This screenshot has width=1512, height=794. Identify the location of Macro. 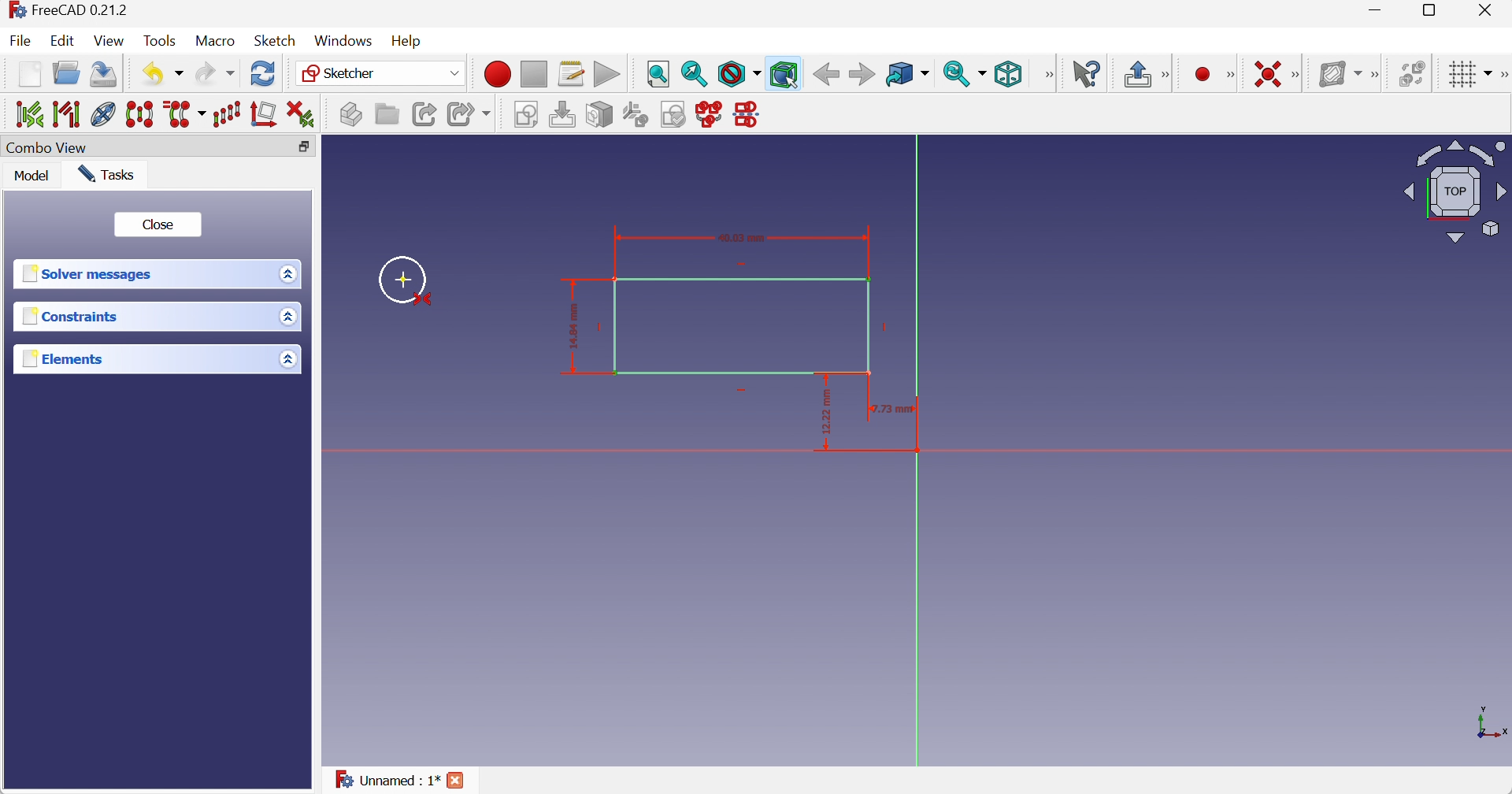
(213, 41).